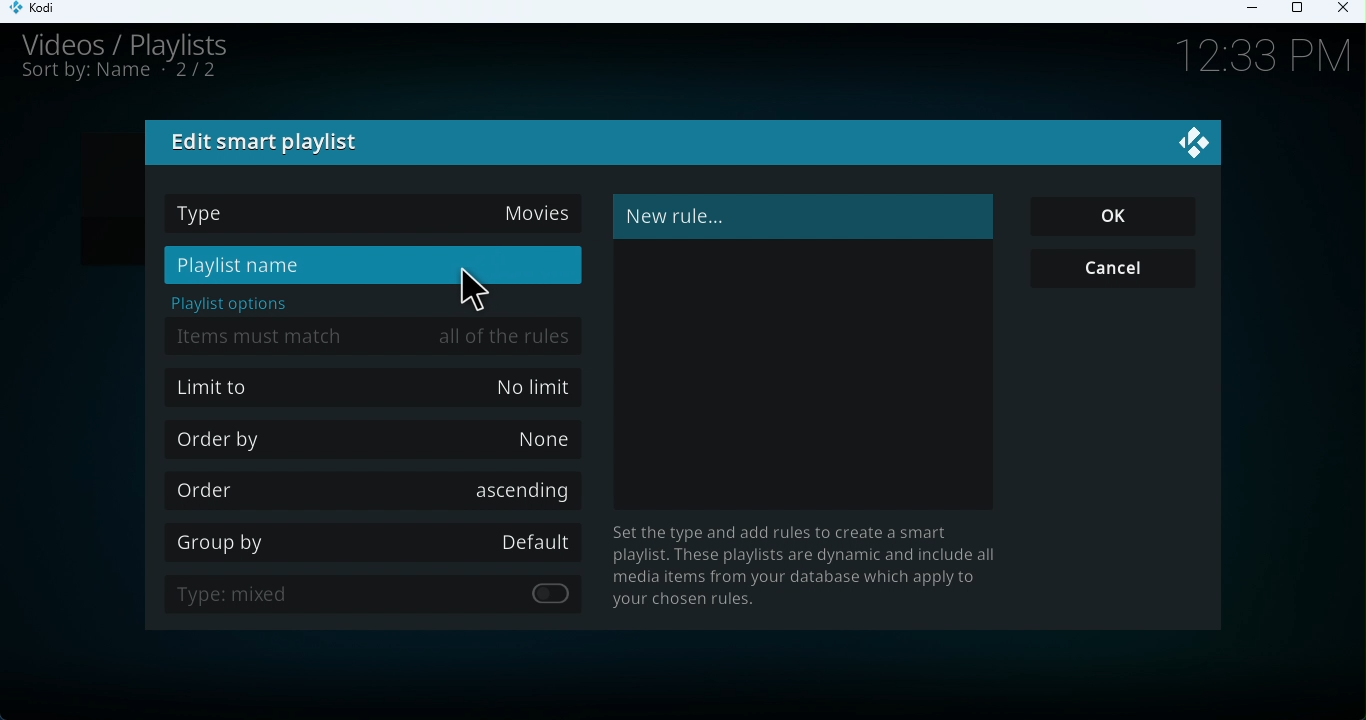  What do you see at coordinates (145, 43) in the screenshot?
I see `Videos/playlists` at bounding box center [145, 43].